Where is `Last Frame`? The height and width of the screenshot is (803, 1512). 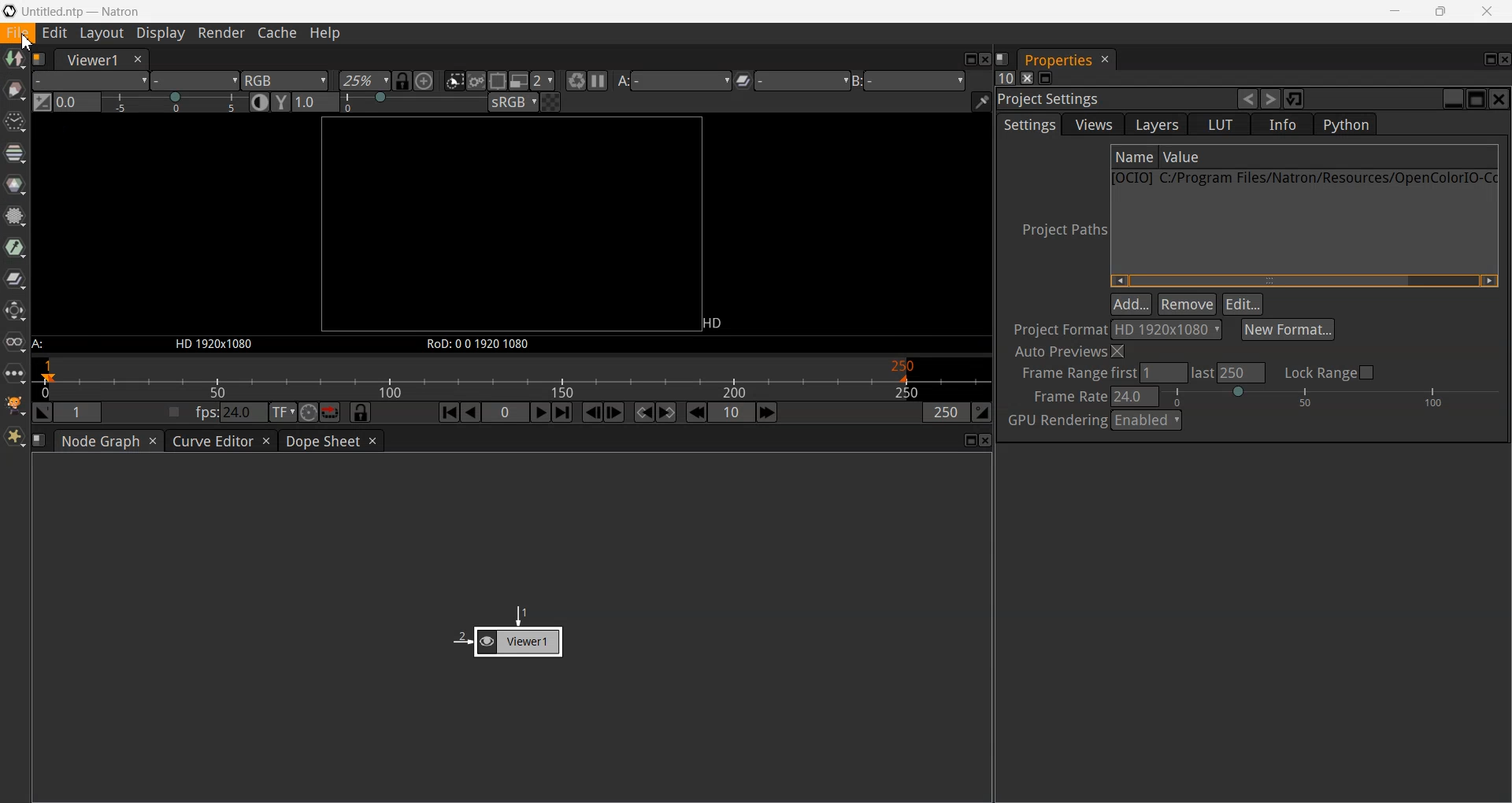 Last Frame is located at coordinates (563, 412).